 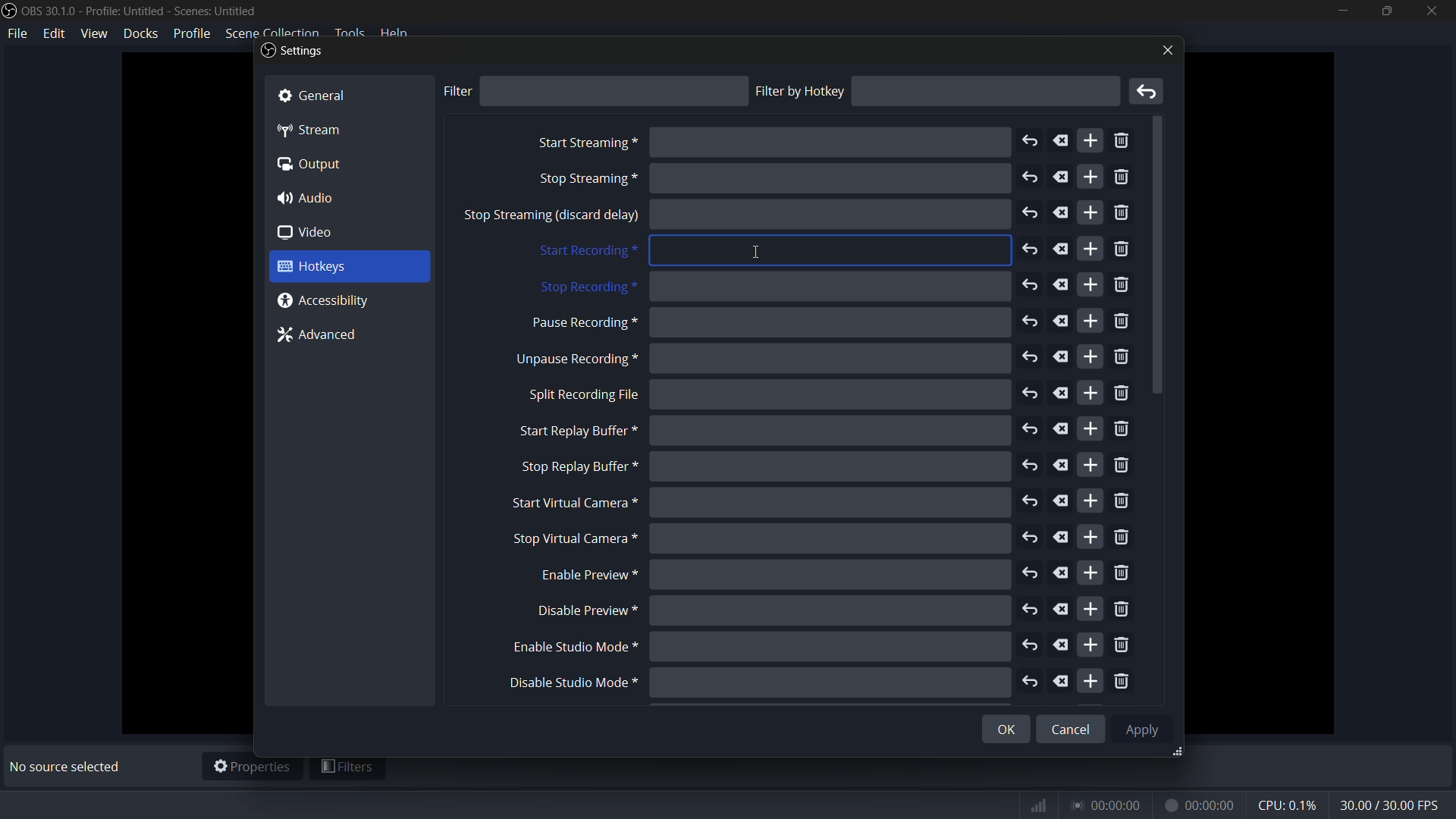 What do you see at coordinates (1030, 177) in the screenshot?
I see `undo` at bounding box center [1030, 177].